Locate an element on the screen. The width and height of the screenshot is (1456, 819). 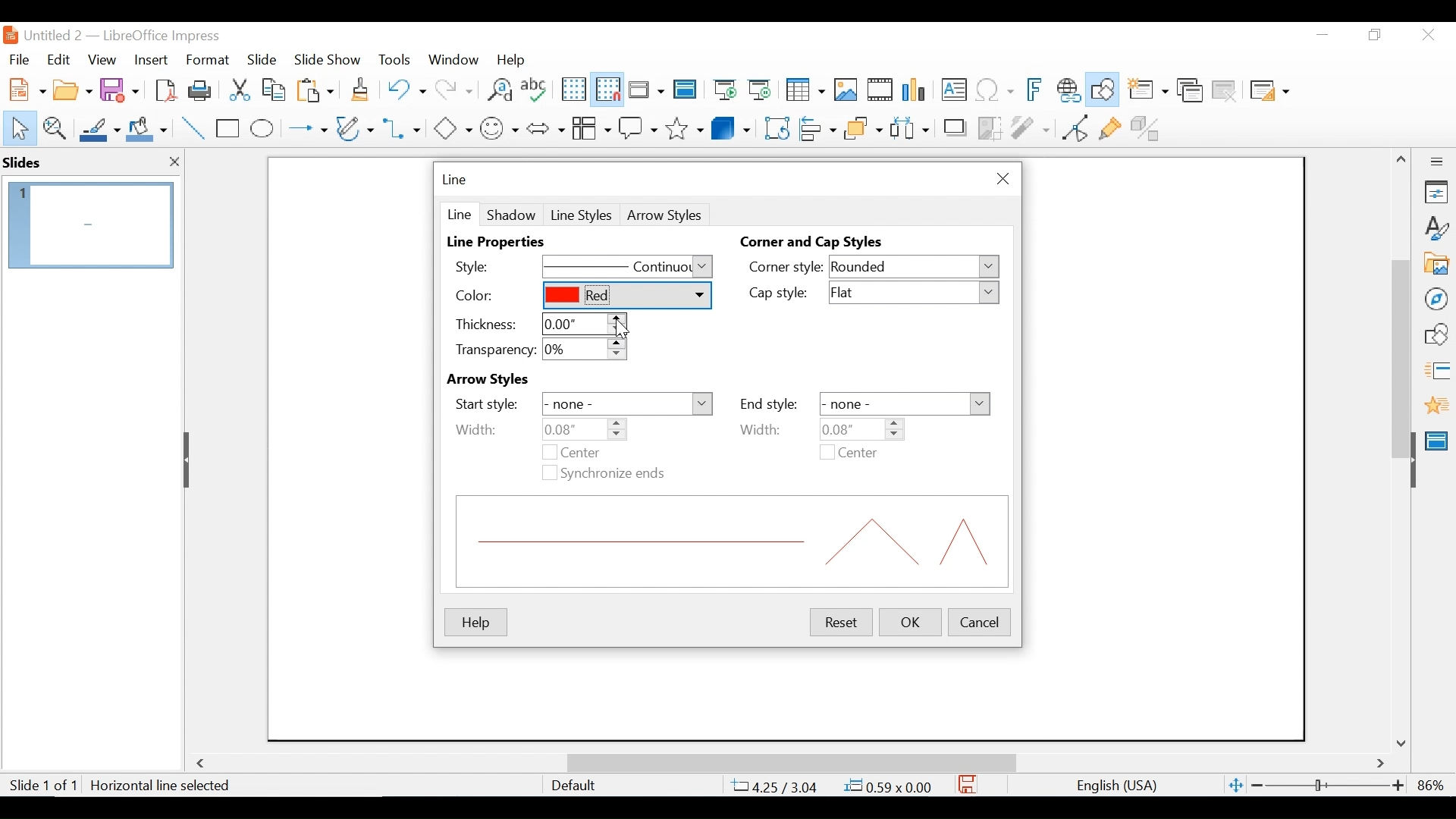
Synchronize is located at coordinates (615, 474).